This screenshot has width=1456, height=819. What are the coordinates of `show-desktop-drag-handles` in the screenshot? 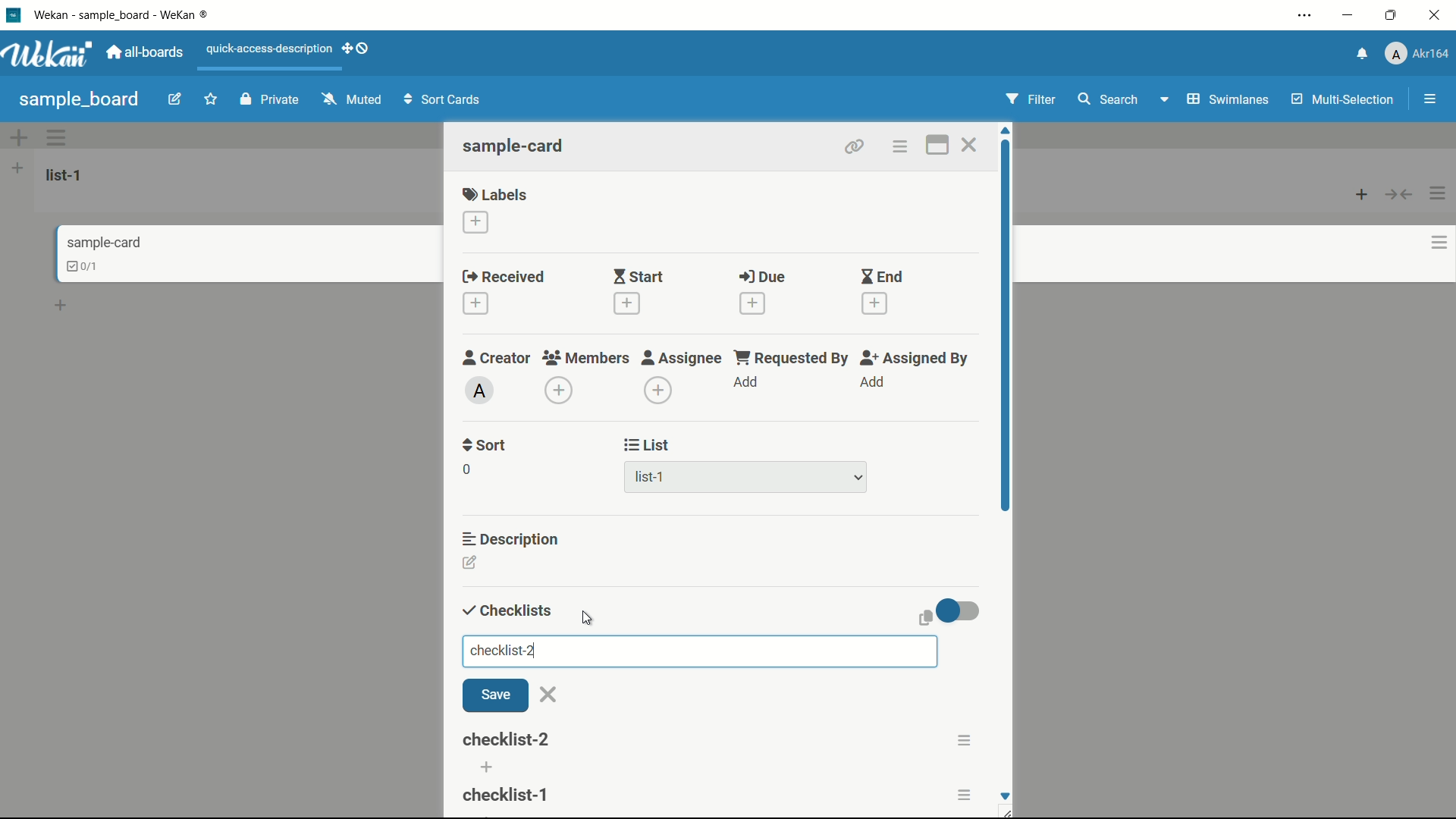 It's located at (358, 47).